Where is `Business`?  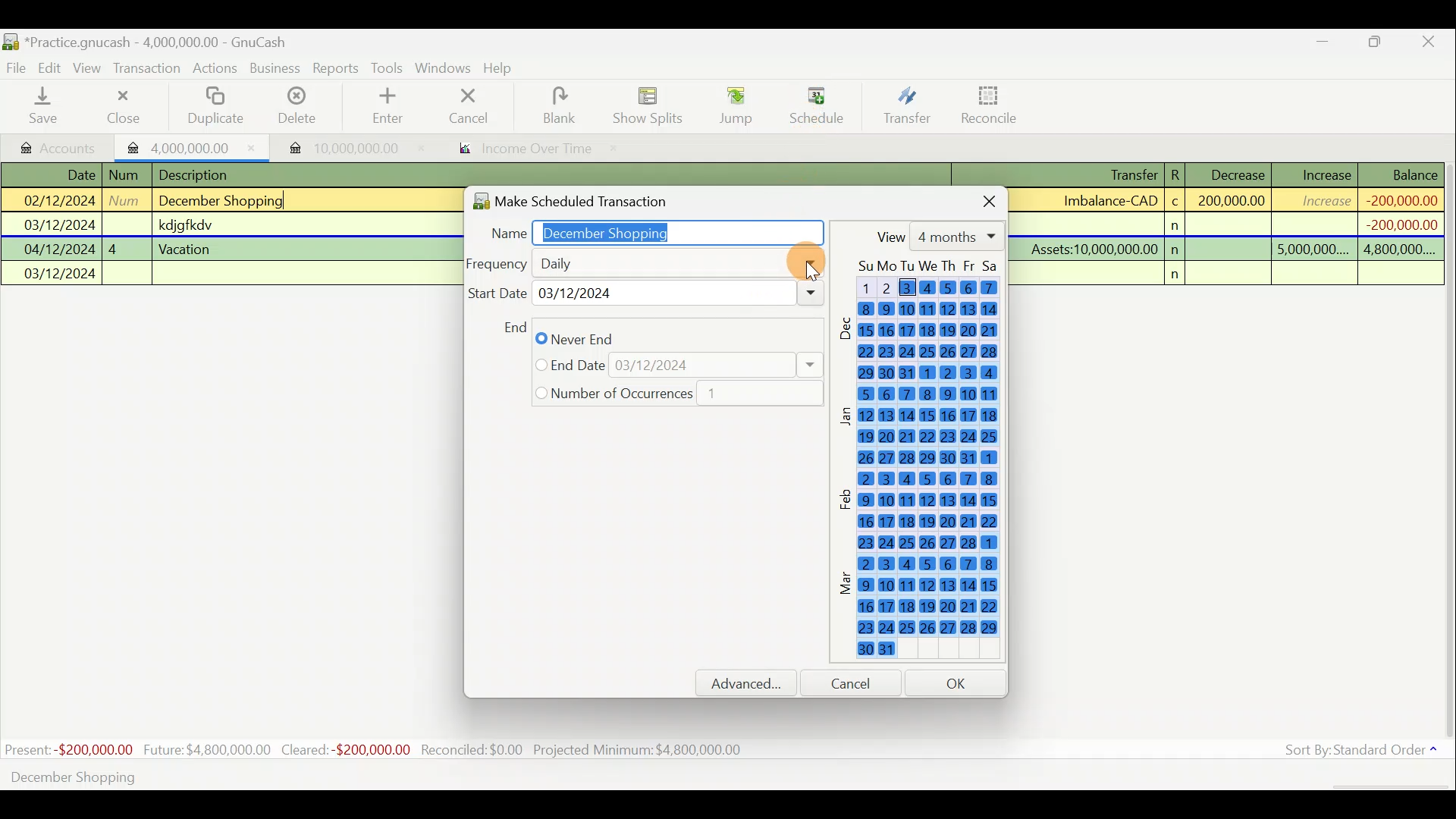
Business is located at coordinates (276, 69).